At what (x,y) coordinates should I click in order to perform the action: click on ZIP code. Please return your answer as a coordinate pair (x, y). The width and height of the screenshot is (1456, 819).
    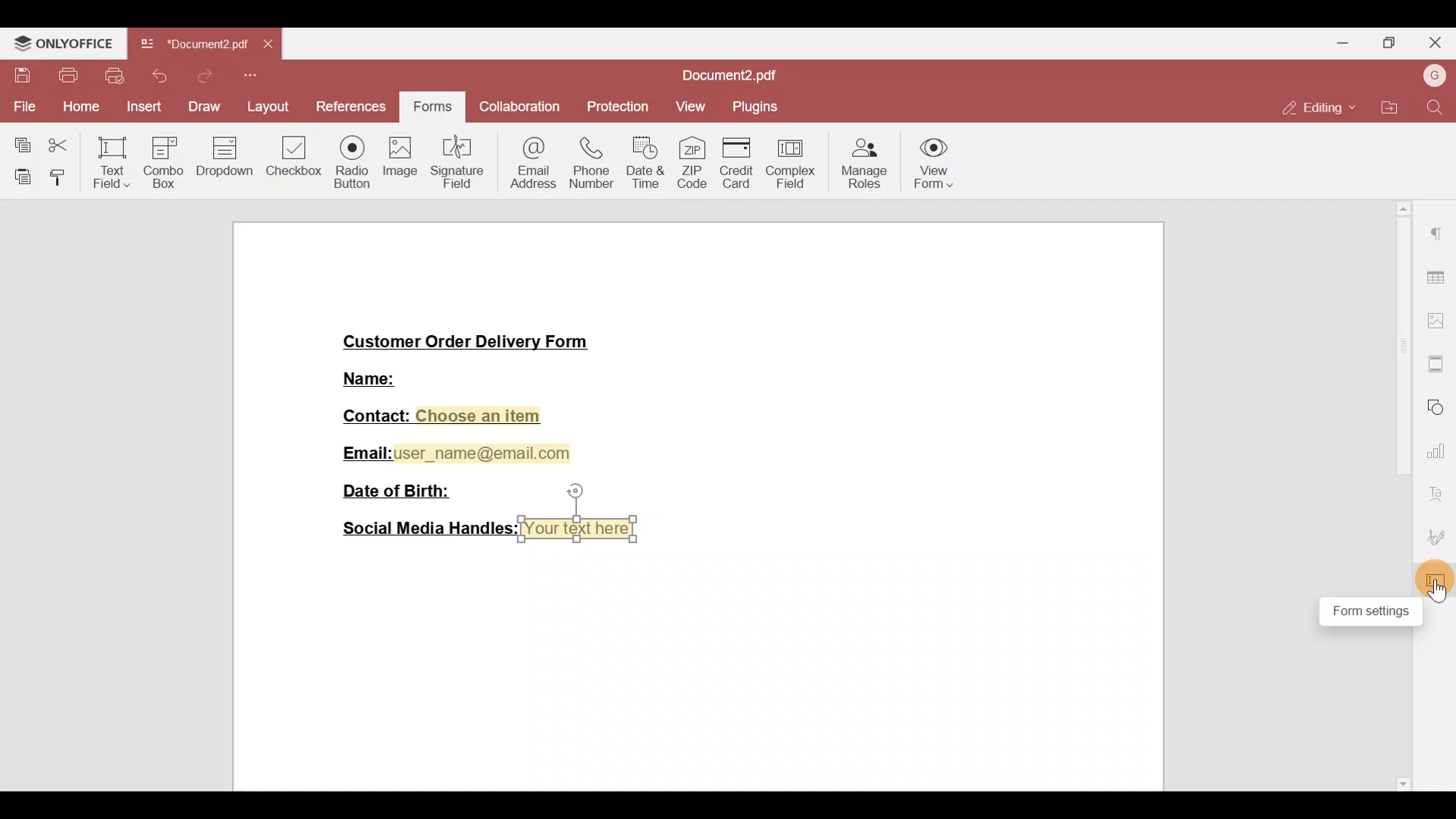
    Looking at the image, I should click on (692, 159).